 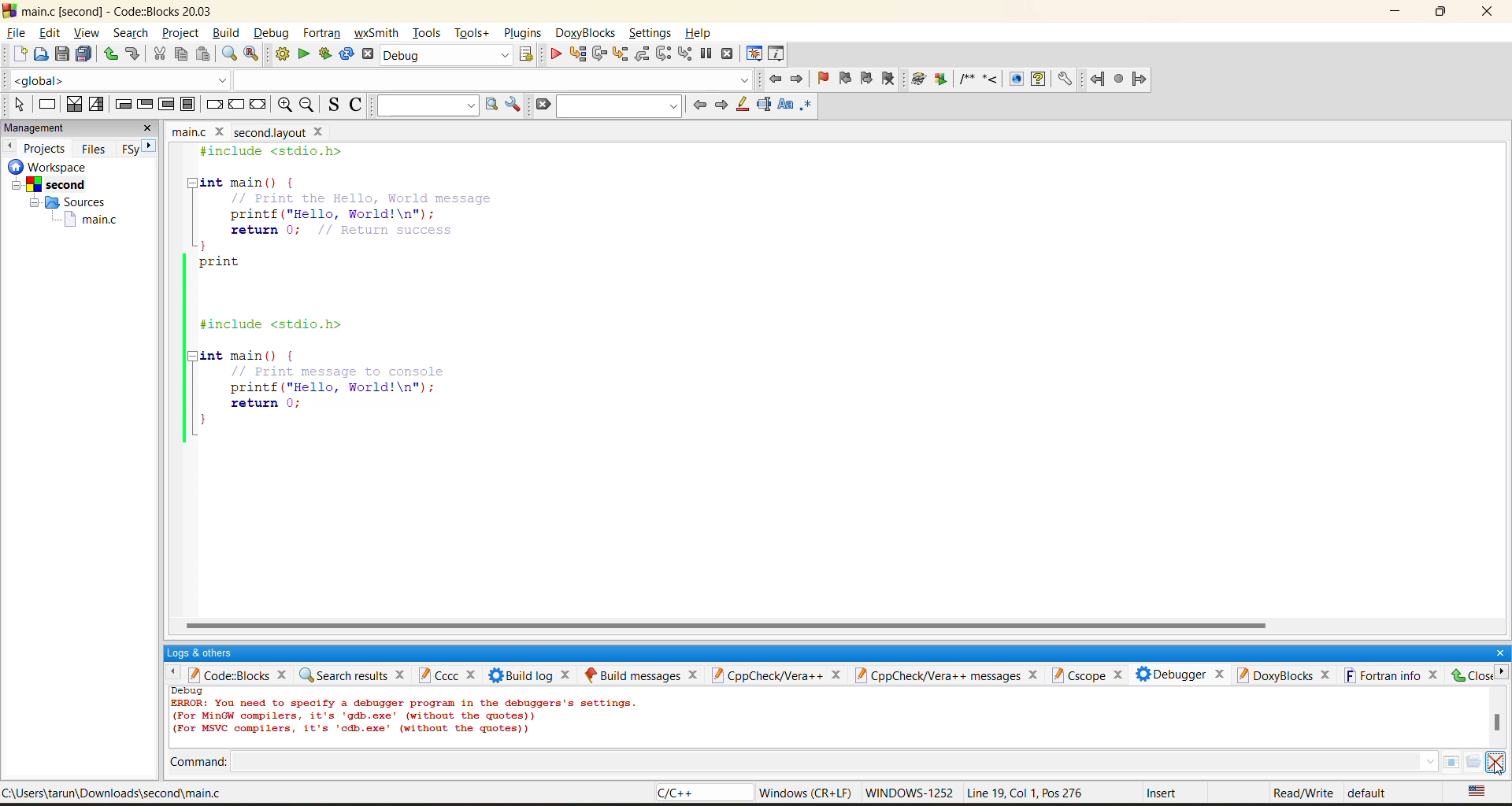 What do you see at coordinates (529, 57) in the screenshot?
I see `show select target dialog` at bounding box center [529, 57].